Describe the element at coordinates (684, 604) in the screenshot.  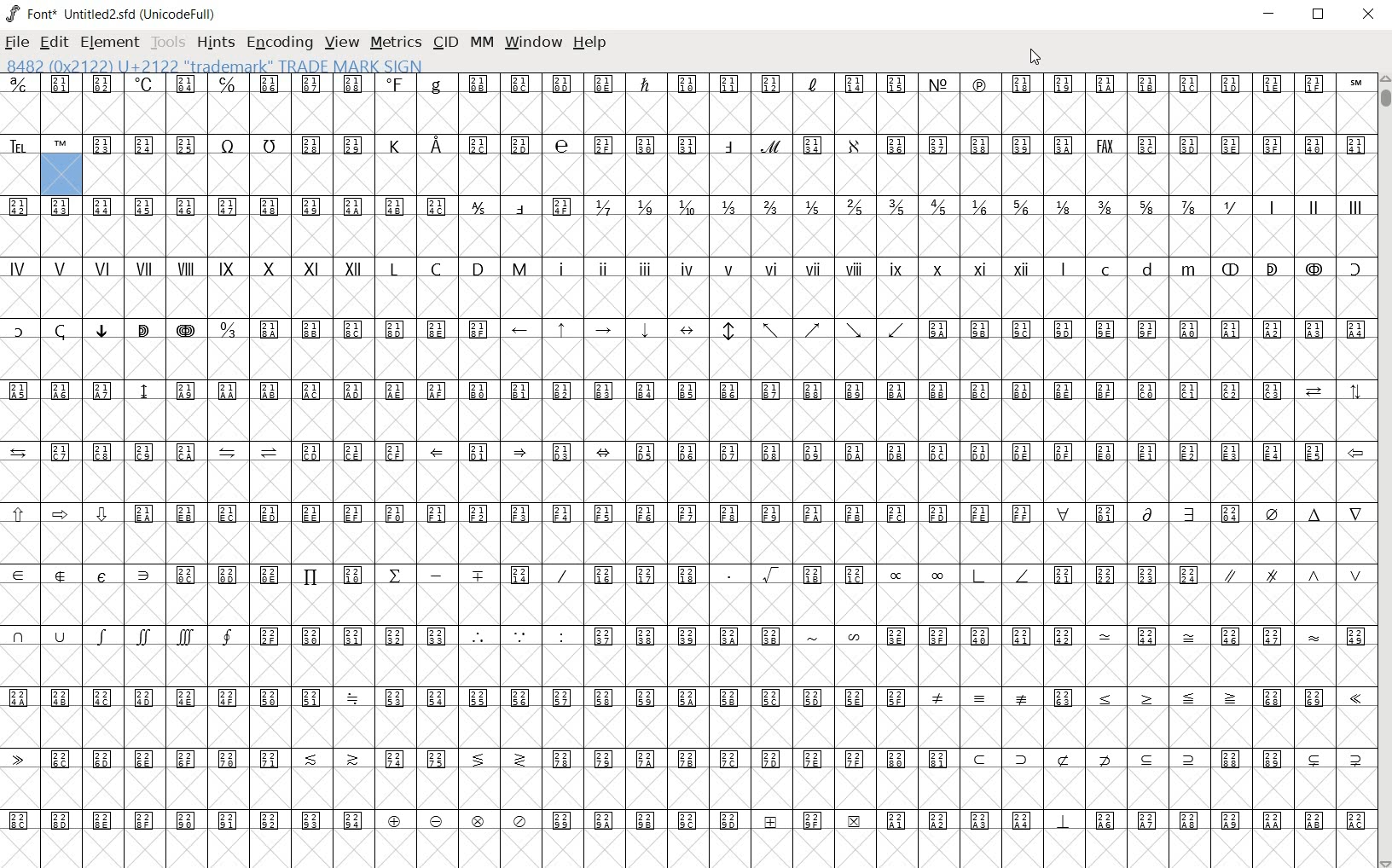
I see `symbols` at that location.